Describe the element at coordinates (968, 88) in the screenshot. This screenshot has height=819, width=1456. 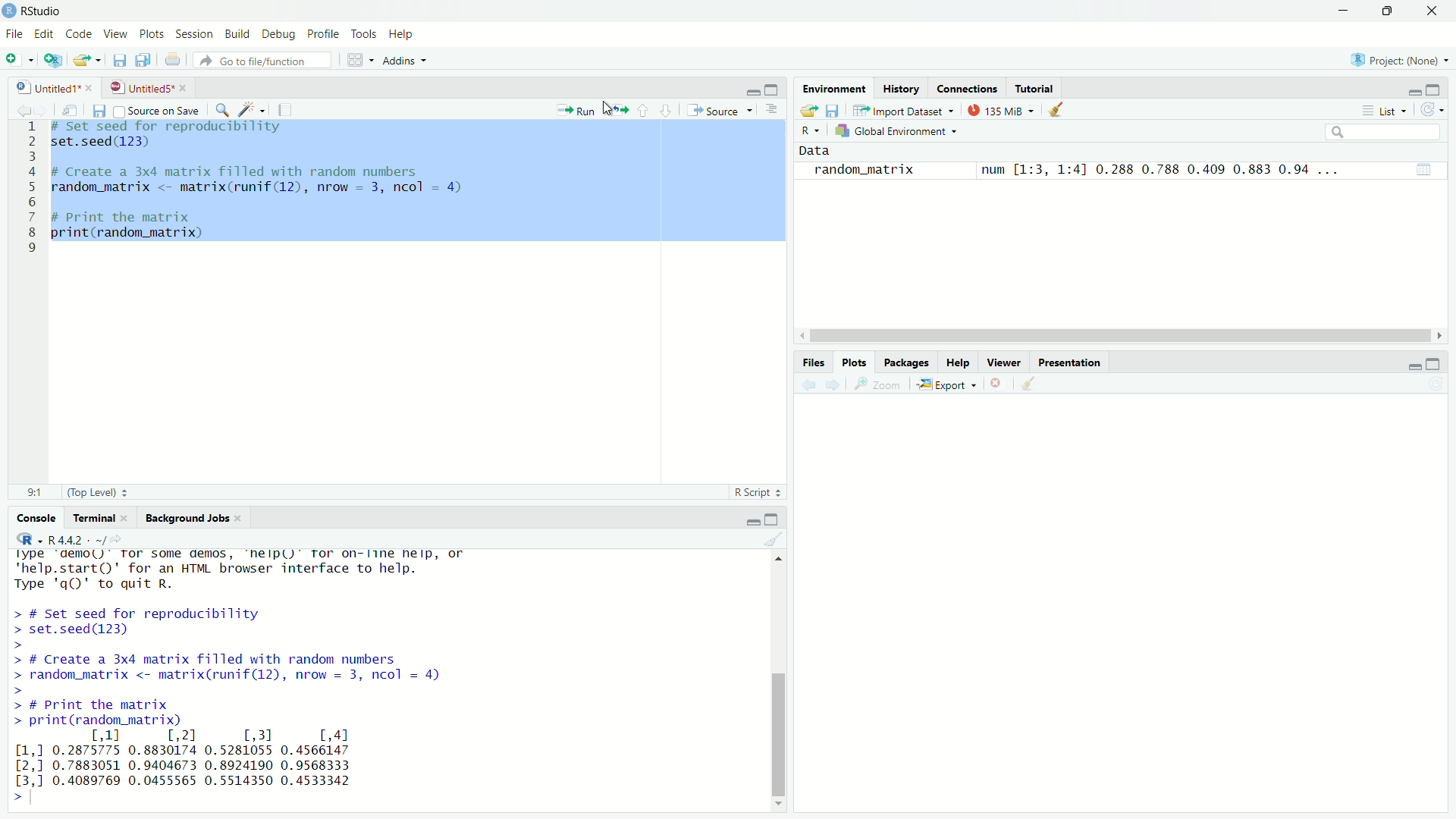
I see `Connections` at that location.